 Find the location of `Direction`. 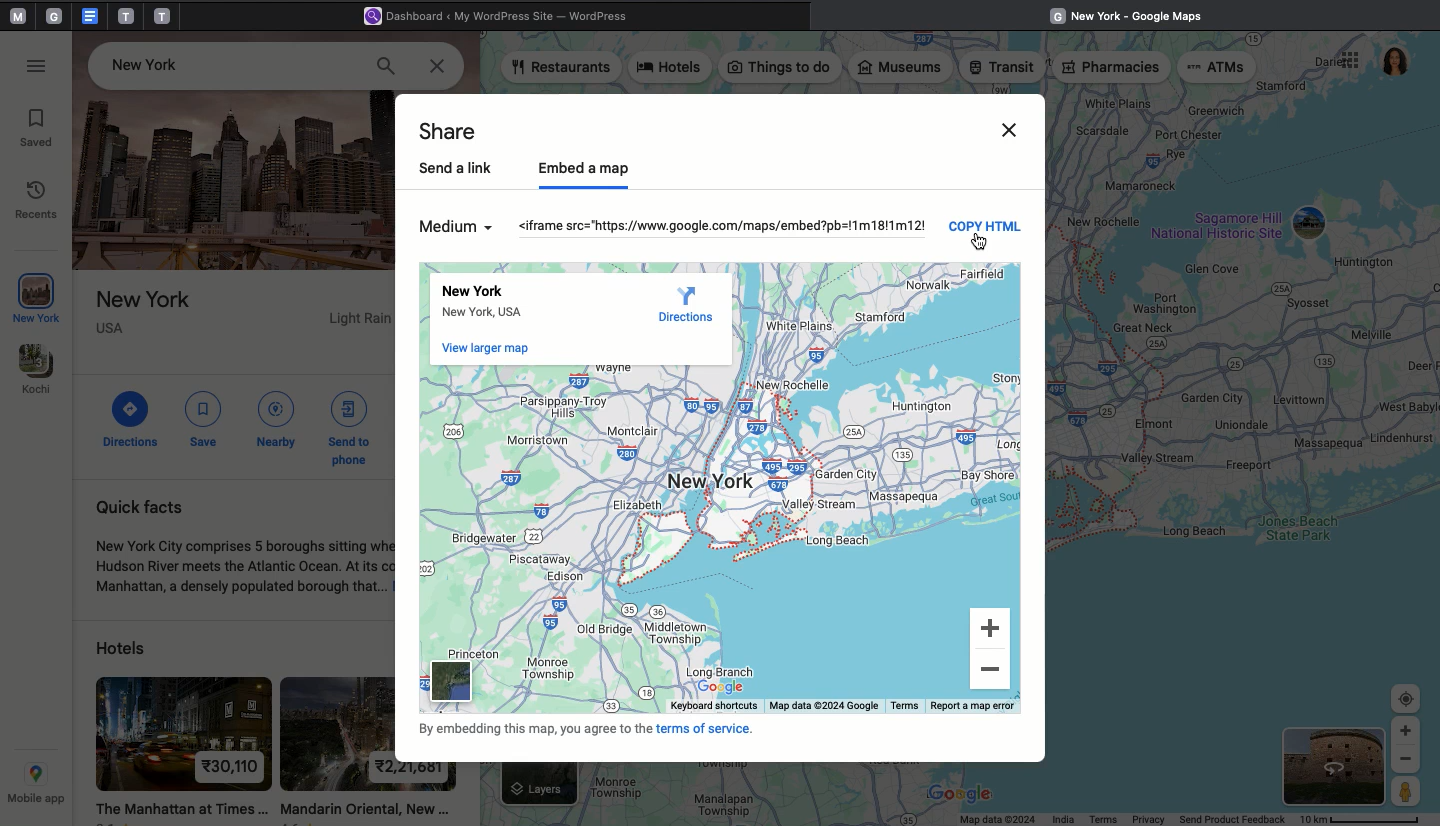

Direction is located at coordinates (679, 304).